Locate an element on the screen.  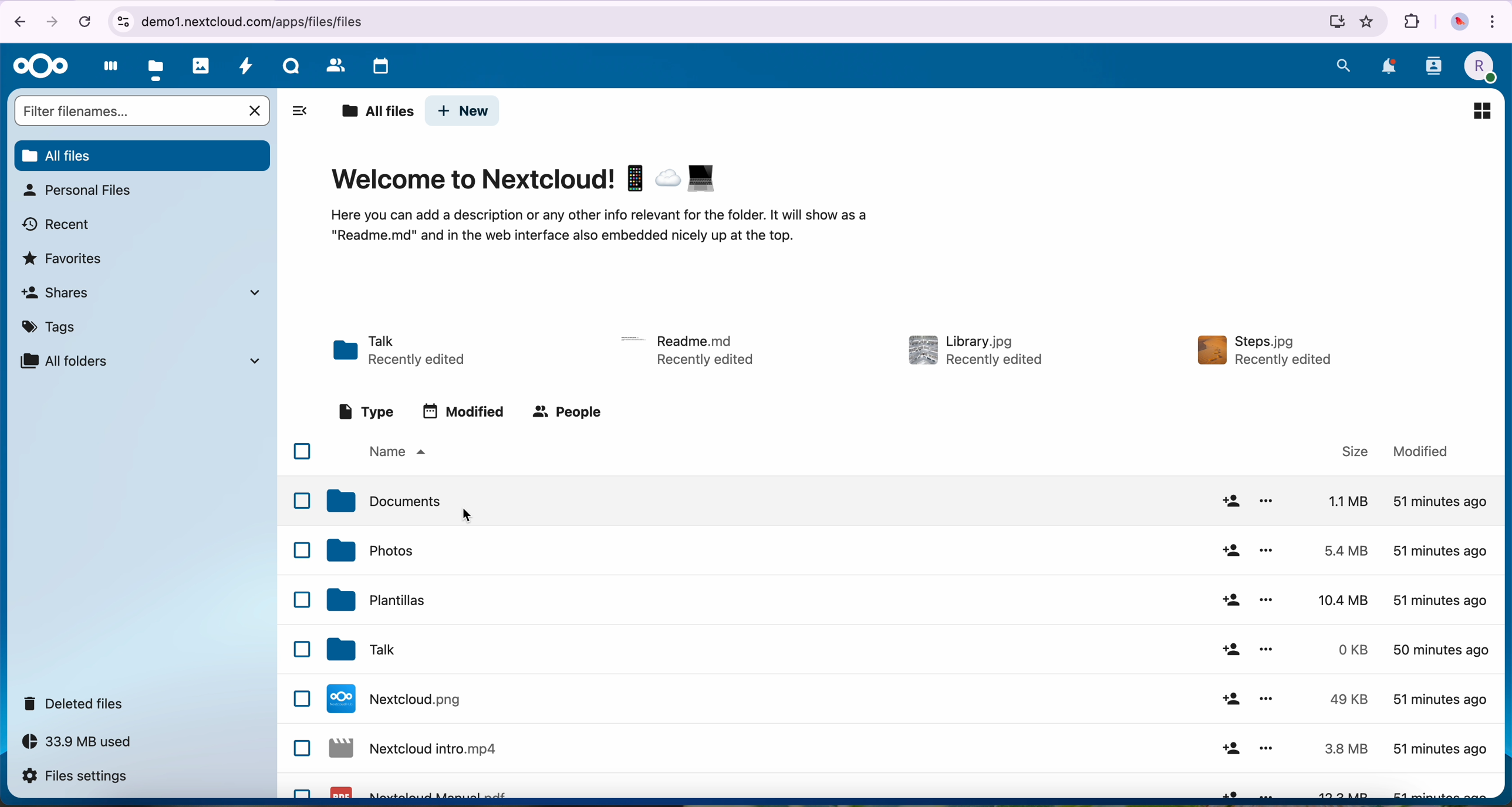
cancel is located at coordinates (84, 21).